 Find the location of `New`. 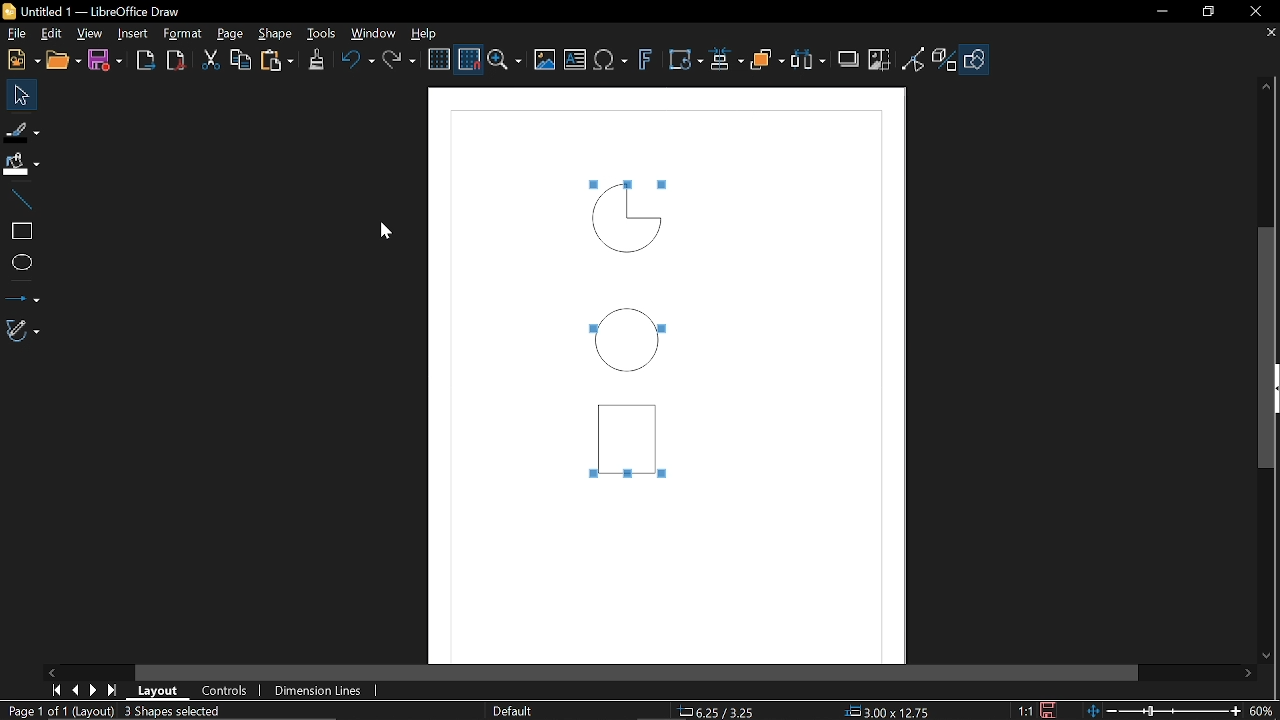

New is located at coordinates (22, 61).